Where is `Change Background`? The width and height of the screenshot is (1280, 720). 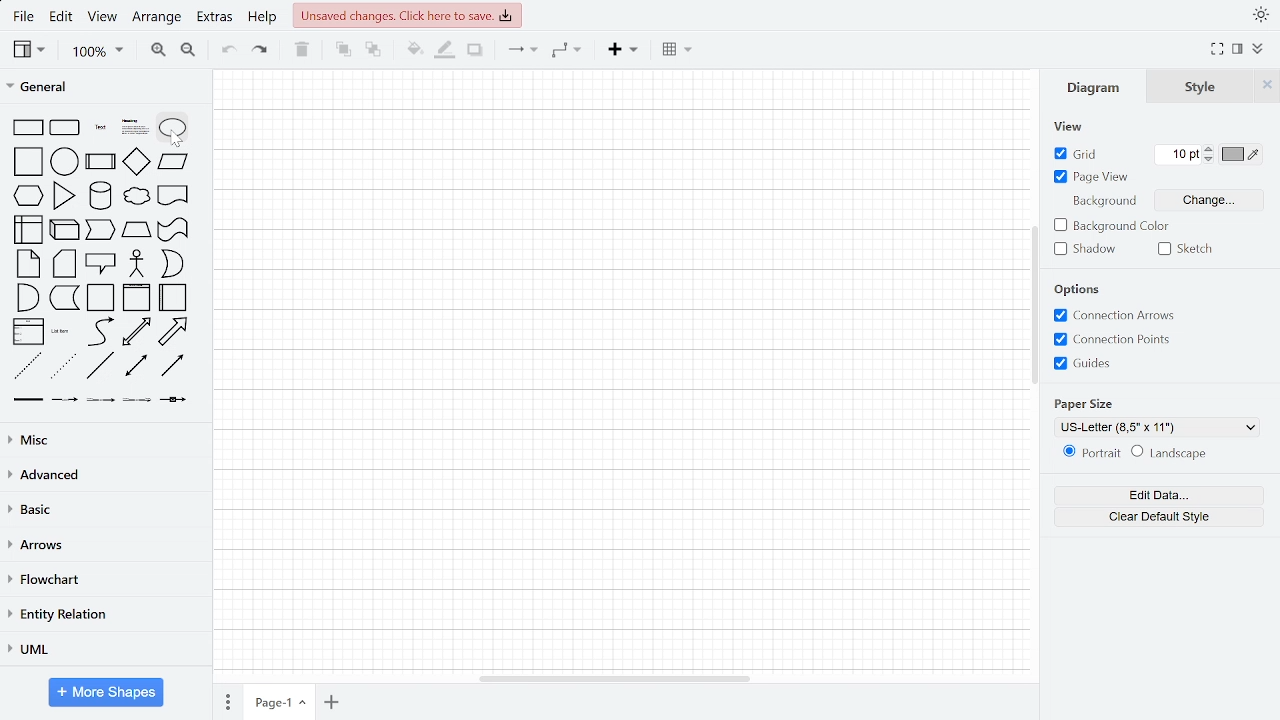 Change Background is located at coordinates (1212, 201).